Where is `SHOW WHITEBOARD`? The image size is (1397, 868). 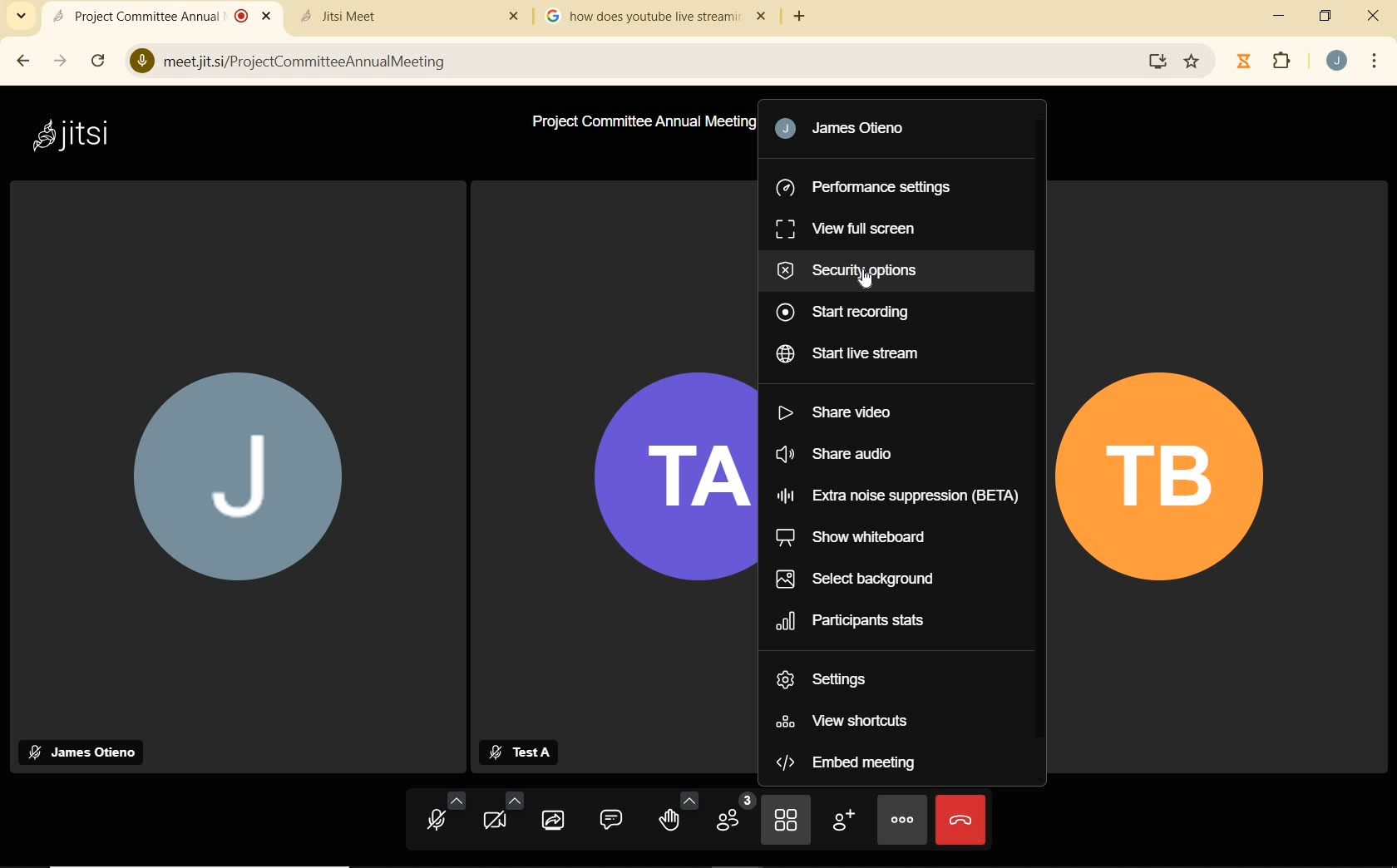 SHOW WHITEBOARD is located at coordinates (851, 537).